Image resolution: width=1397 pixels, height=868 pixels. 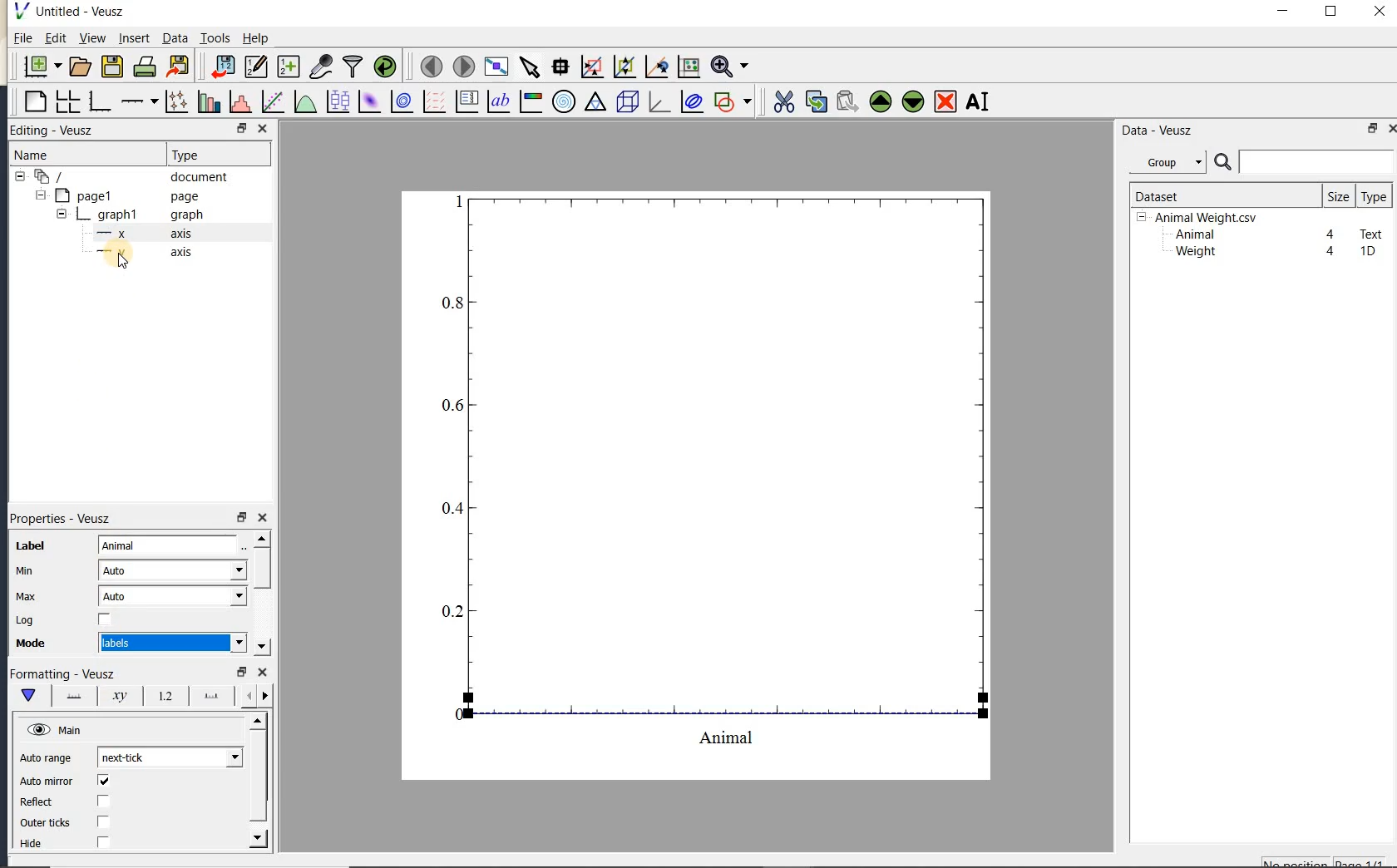 I want to click on copy the selected widget, so click(x=814, y=101).